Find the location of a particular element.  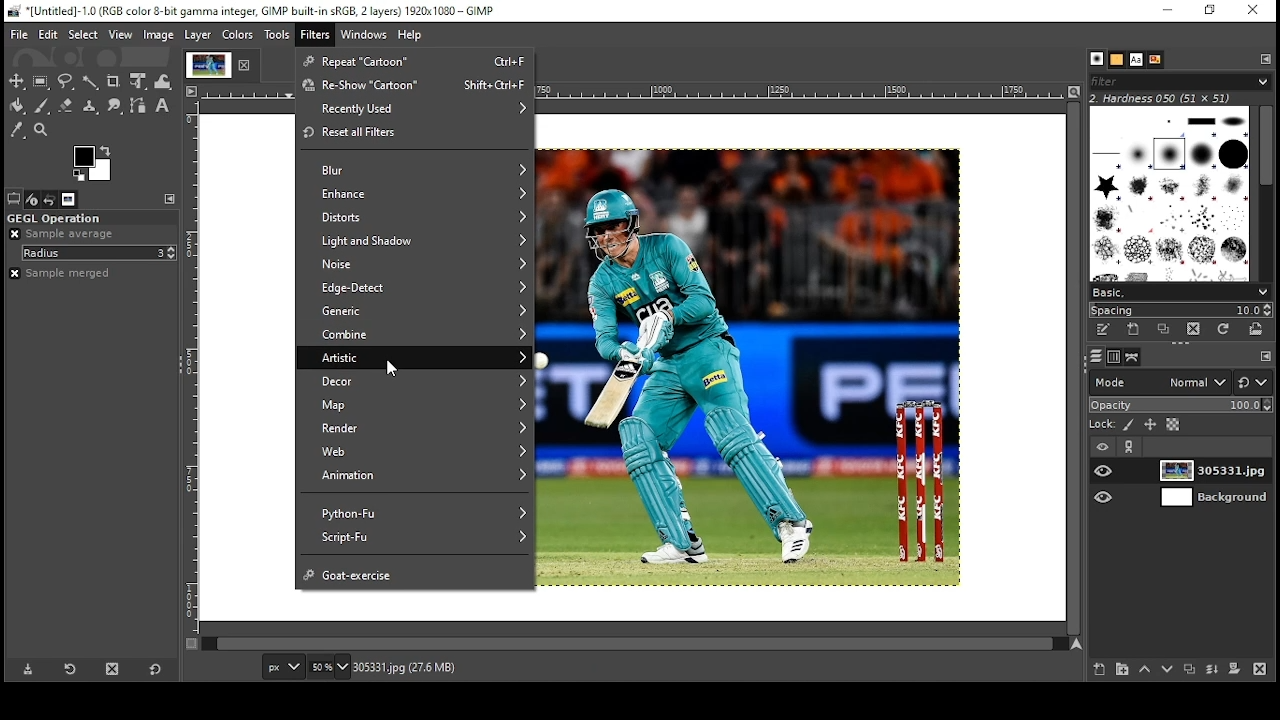

close window is located at coordinates (1252, 10).